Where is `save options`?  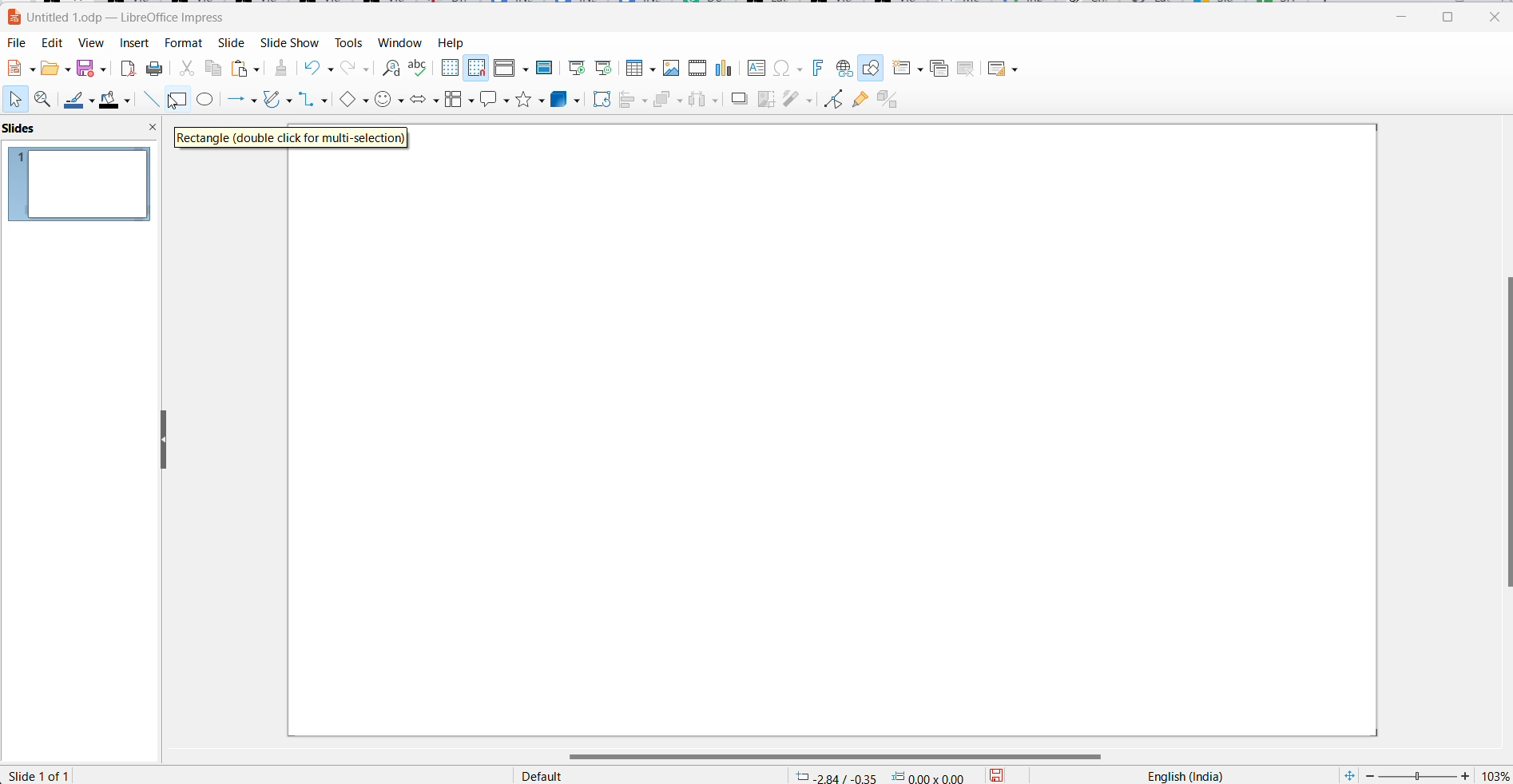 save options is located at coordinates (1001, 774).